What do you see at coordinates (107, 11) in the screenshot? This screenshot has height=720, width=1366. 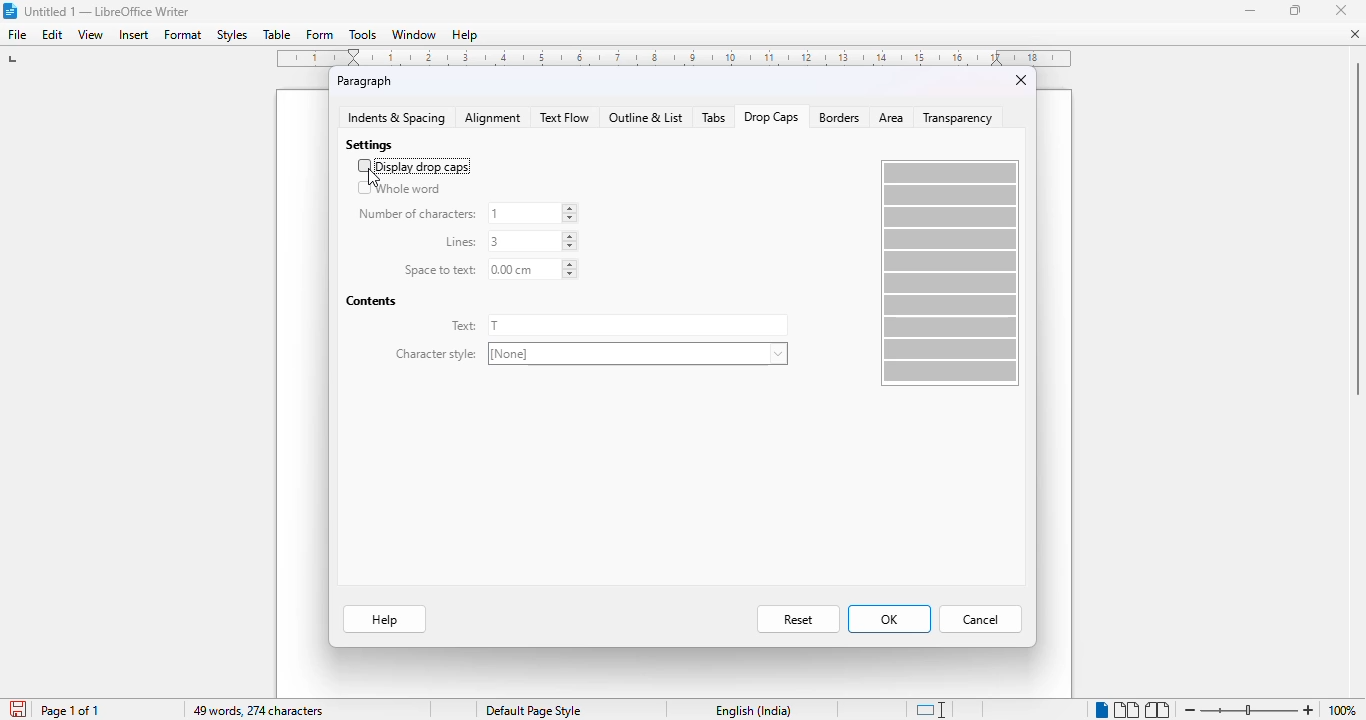 I see `title` at bounding box center [107, 11].